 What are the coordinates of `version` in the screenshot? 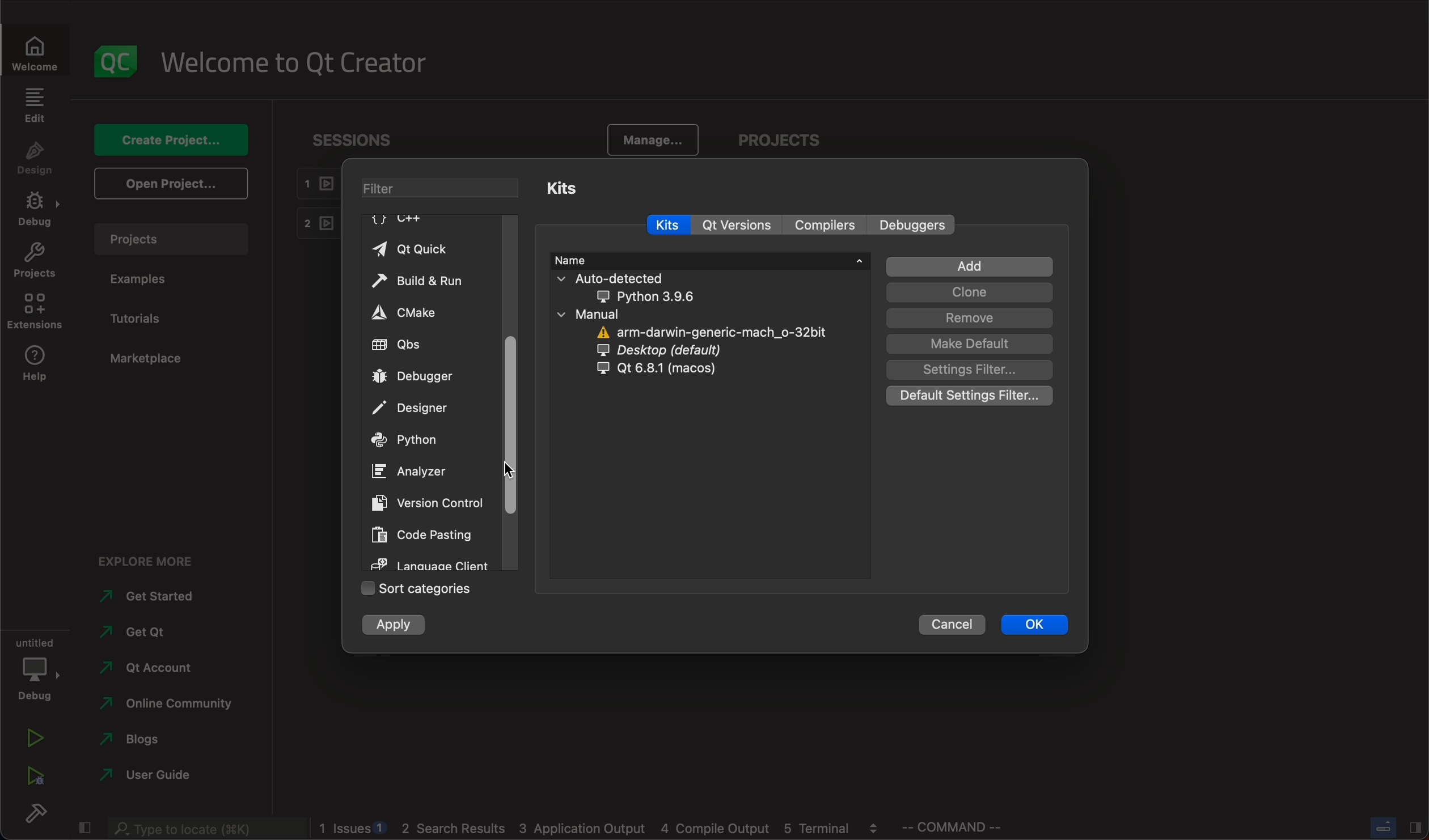 It's located at (431, 502).